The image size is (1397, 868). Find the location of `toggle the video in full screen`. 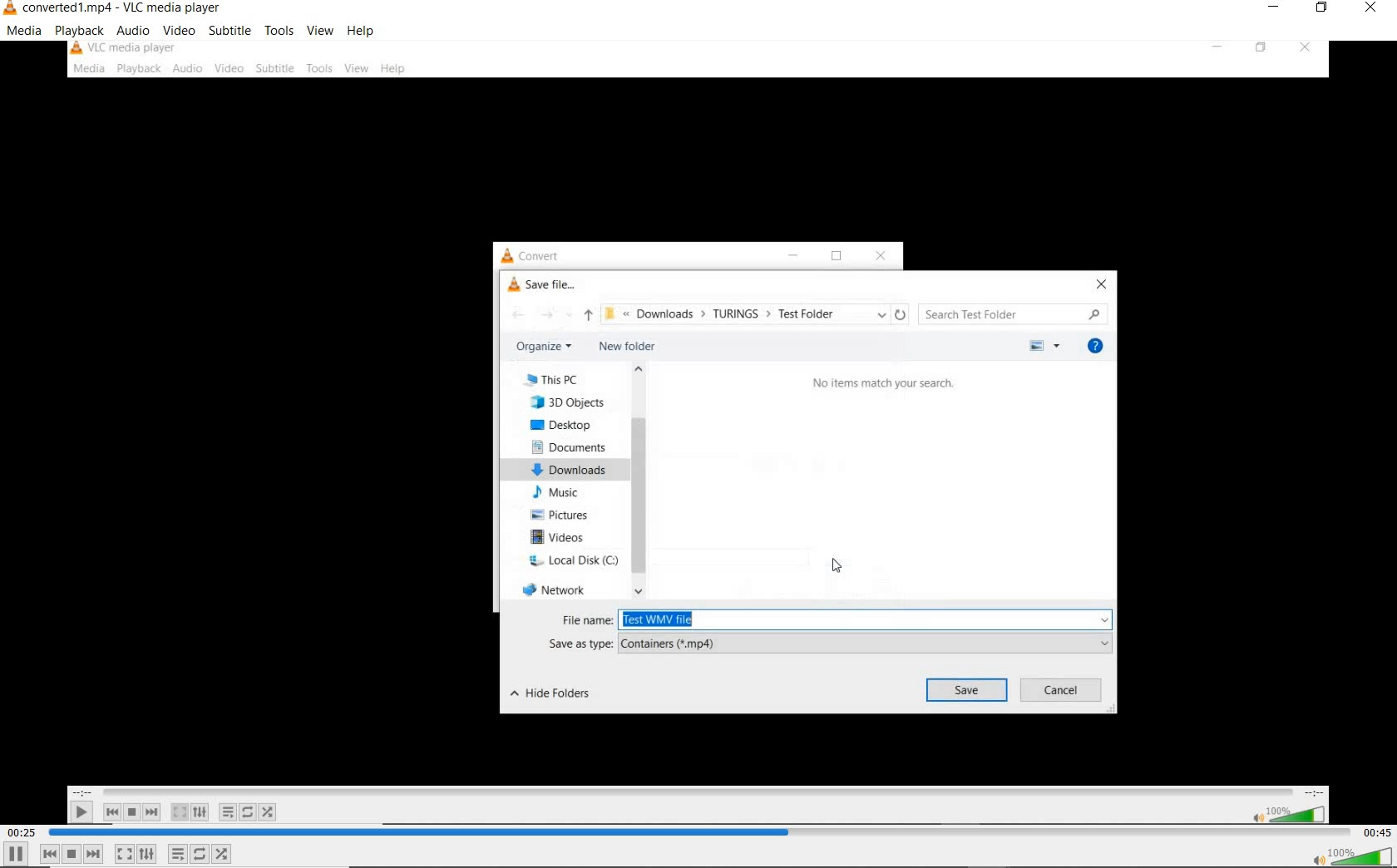

toggle the video in full screen is located at coordinates (124, 853).